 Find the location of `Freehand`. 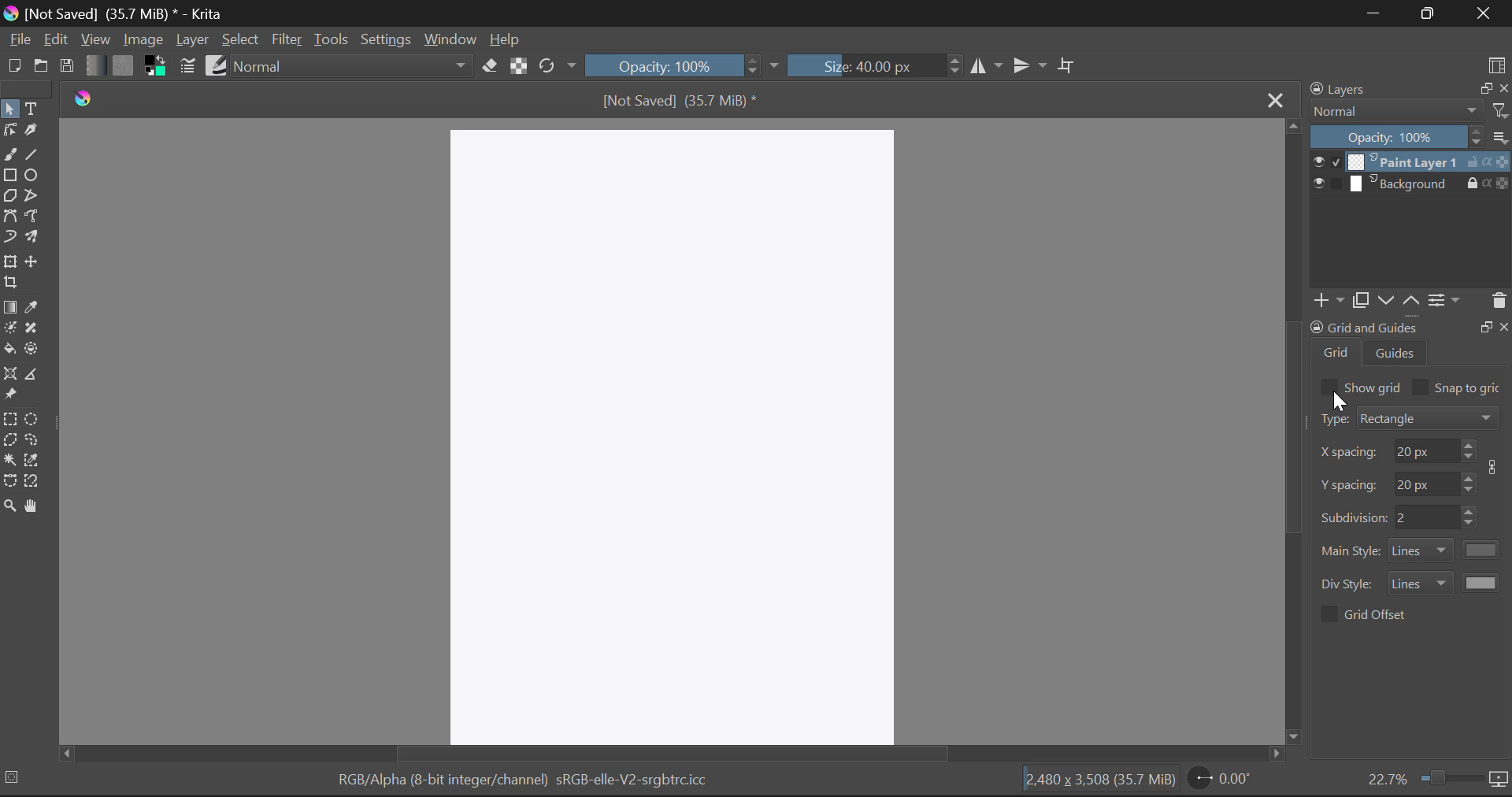

Freehand is located at coordinates (9, 155).